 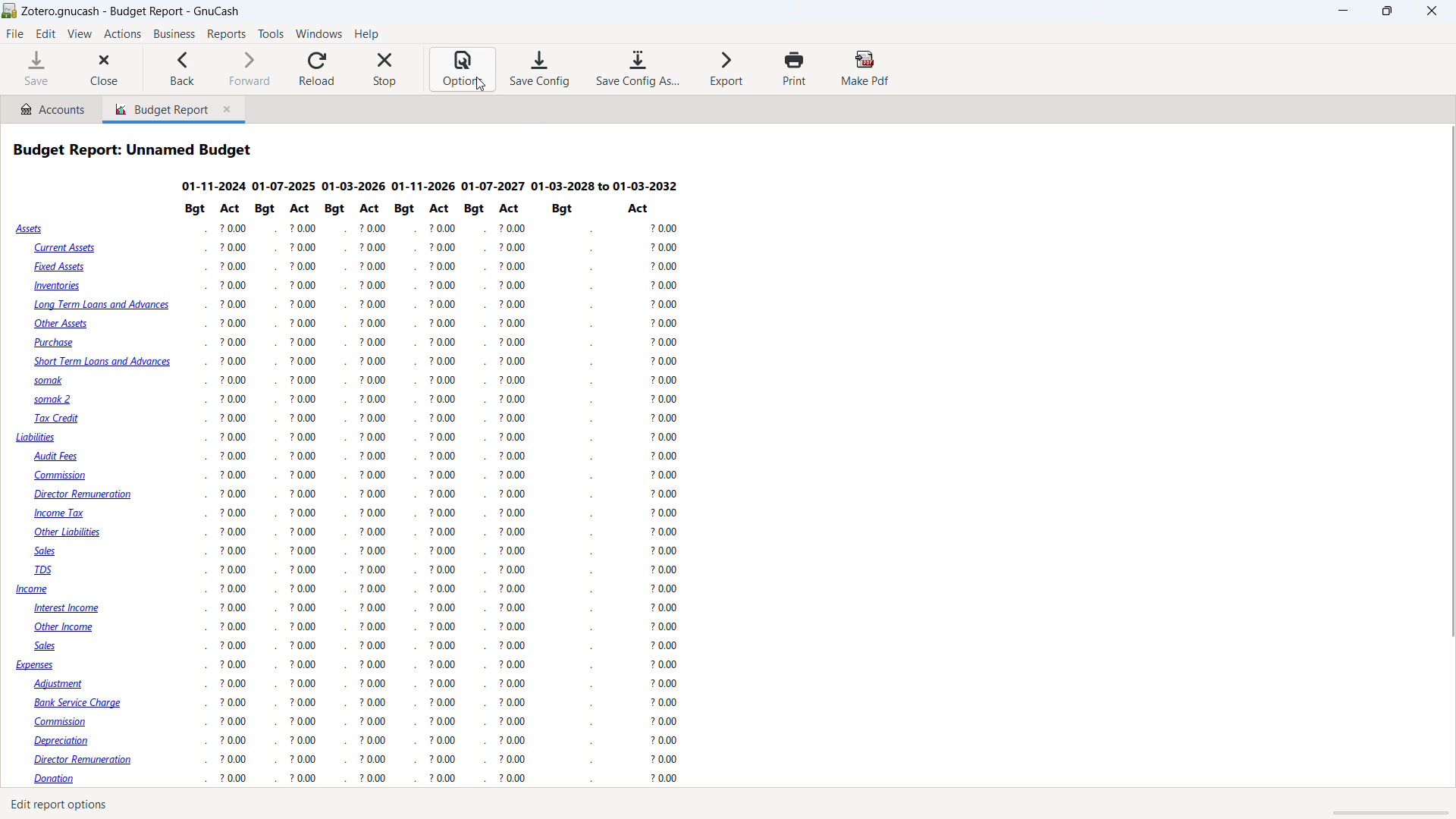 I want to click on export, so click(x=727, y=67).